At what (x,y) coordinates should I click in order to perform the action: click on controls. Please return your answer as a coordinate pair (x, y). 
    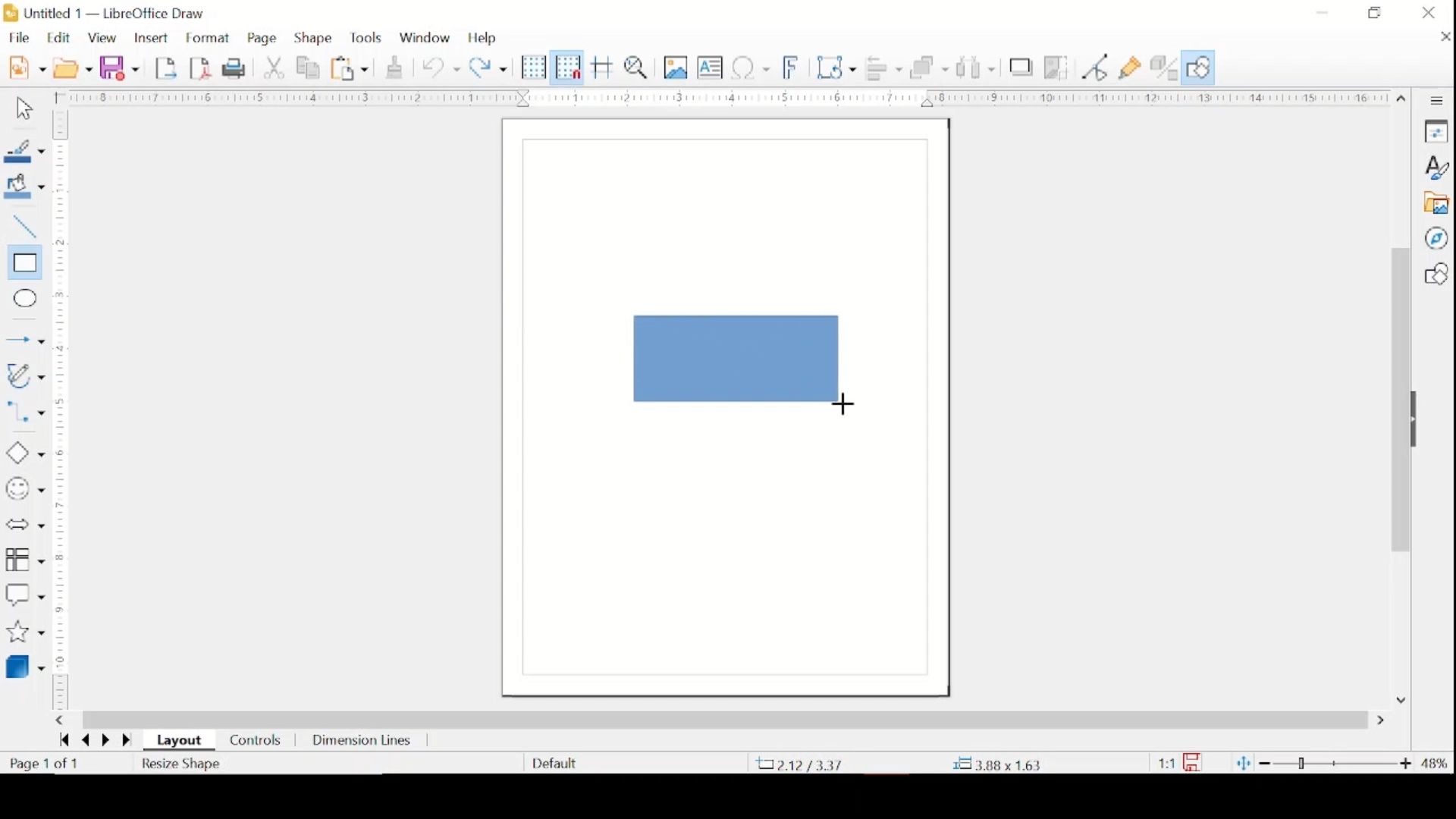
    Looking at the image, I should click on (256, 742).